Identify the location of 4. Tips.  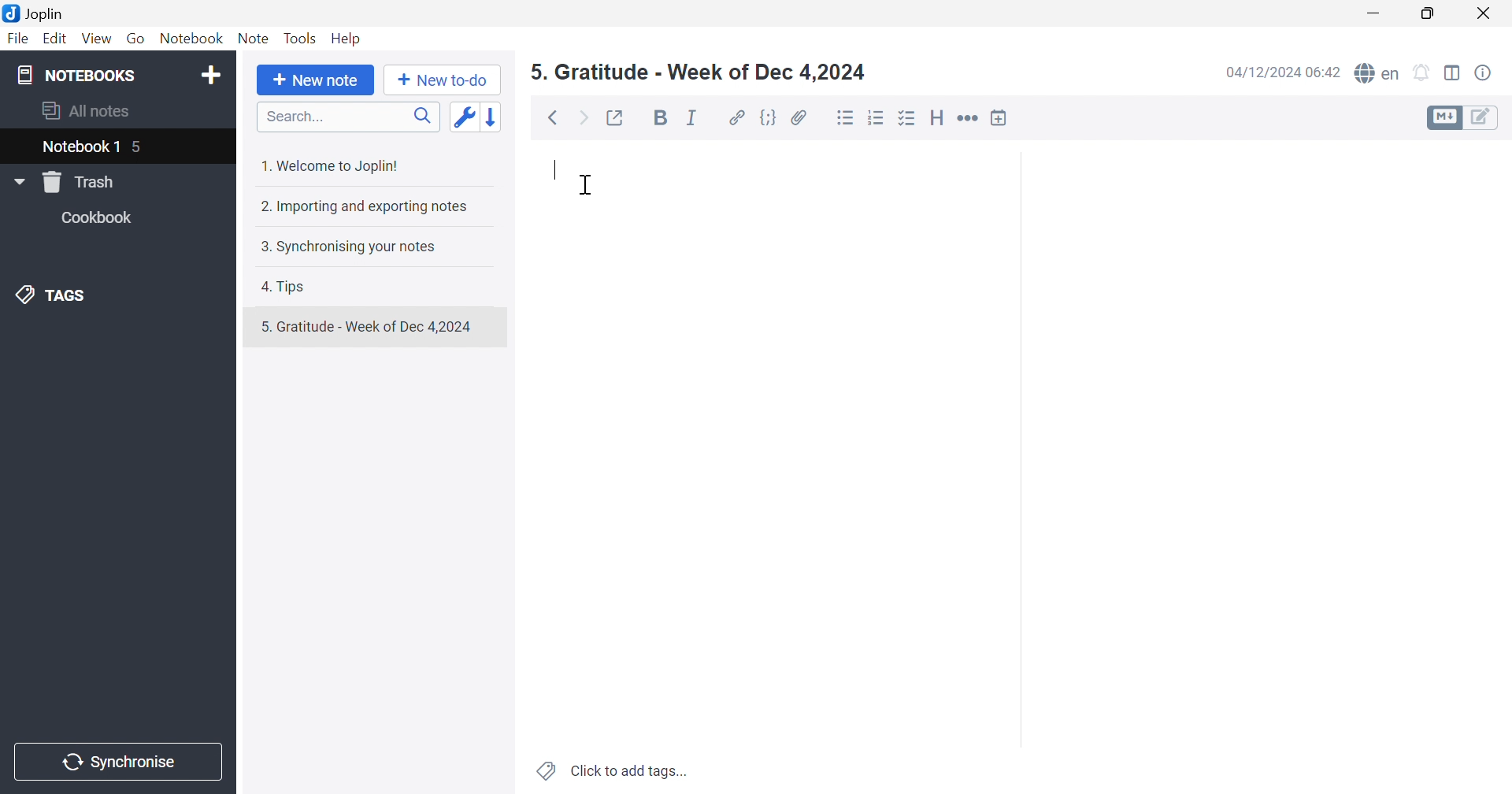
(286, 287).